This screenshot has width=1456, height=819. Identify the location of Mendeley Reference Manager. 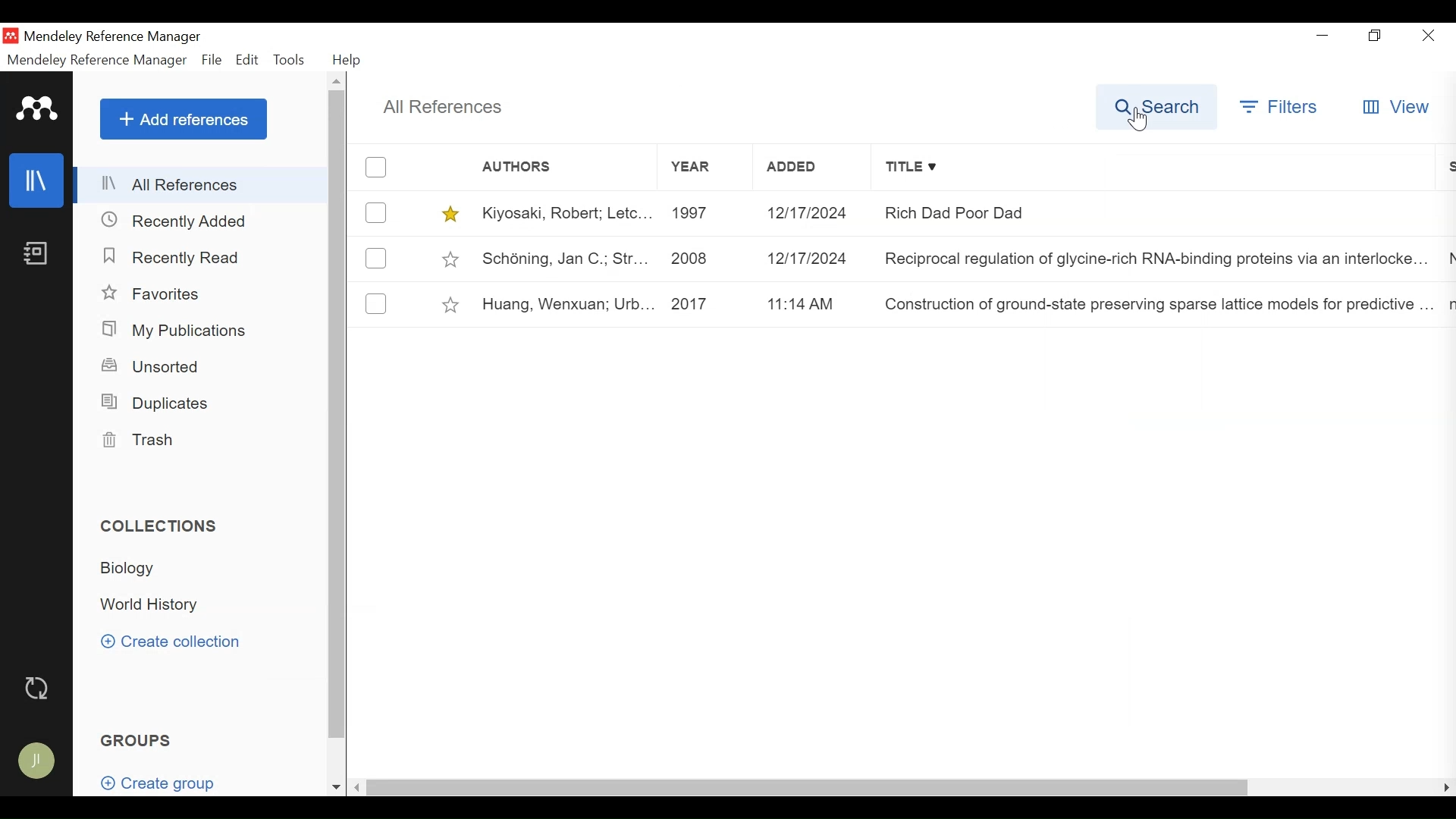
(97, 60).